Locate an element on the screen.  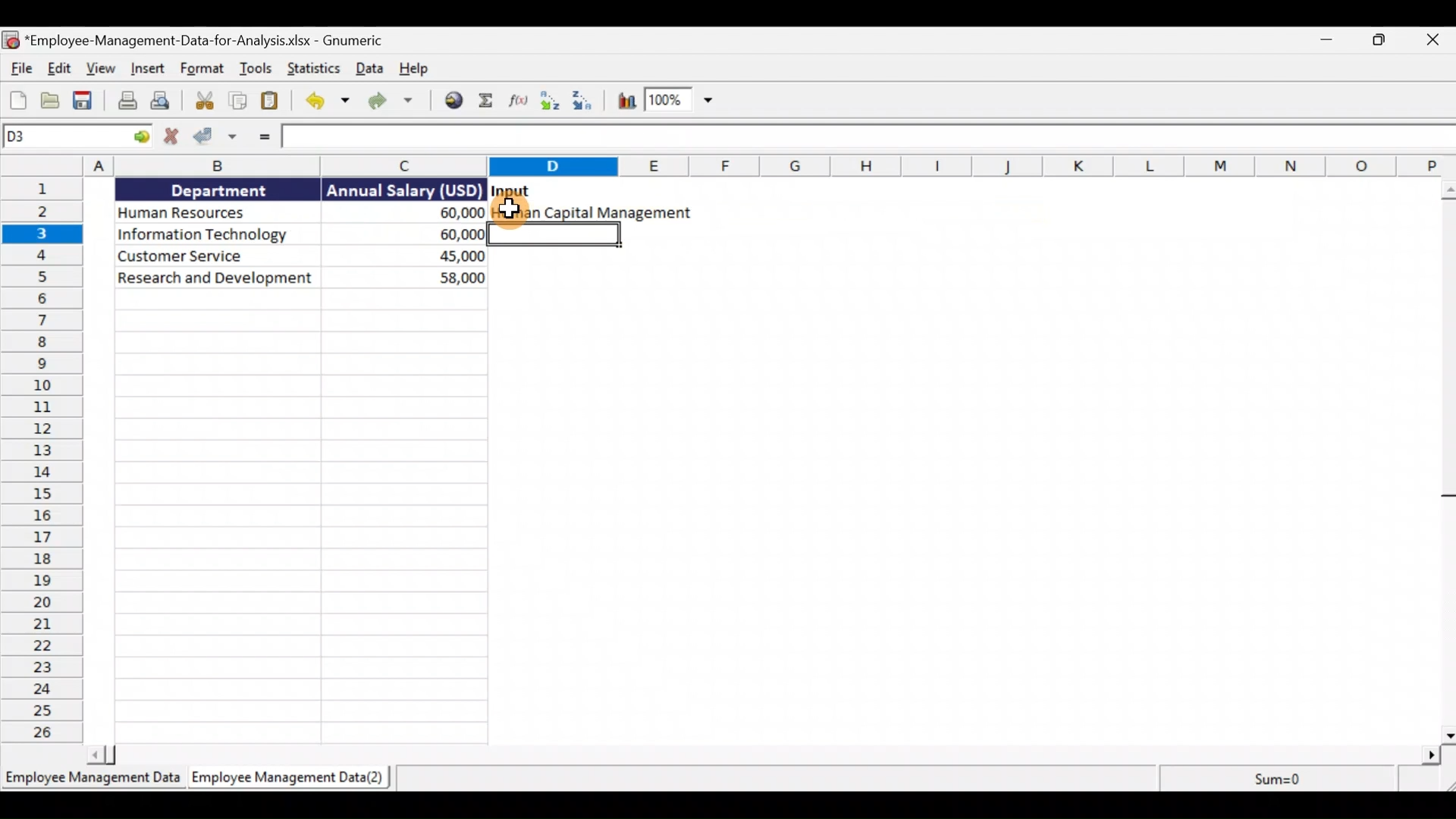
Tools is located at coordinates (258, 68).